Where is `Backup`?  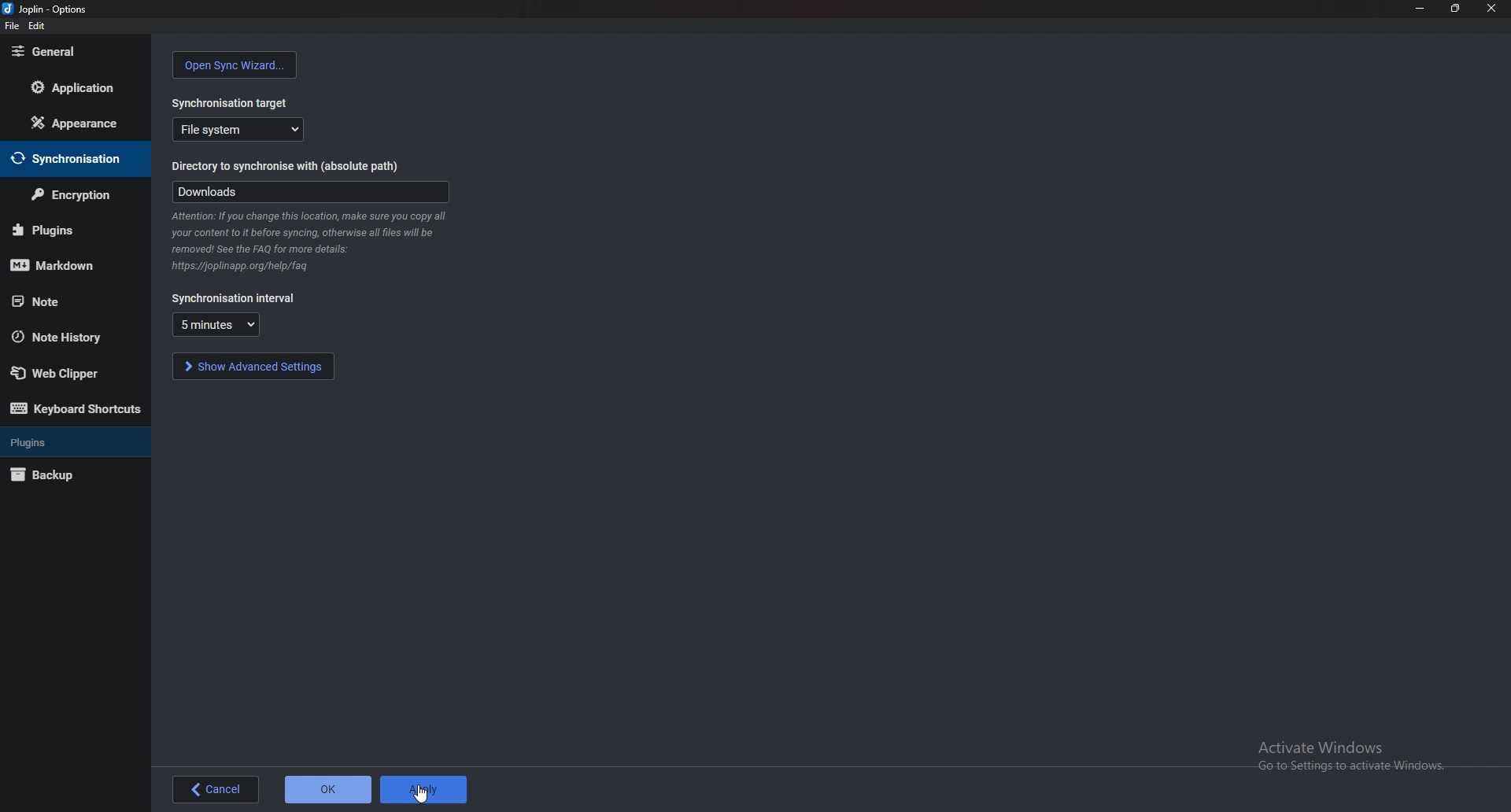 Backup is located at coordinates (70, 475).